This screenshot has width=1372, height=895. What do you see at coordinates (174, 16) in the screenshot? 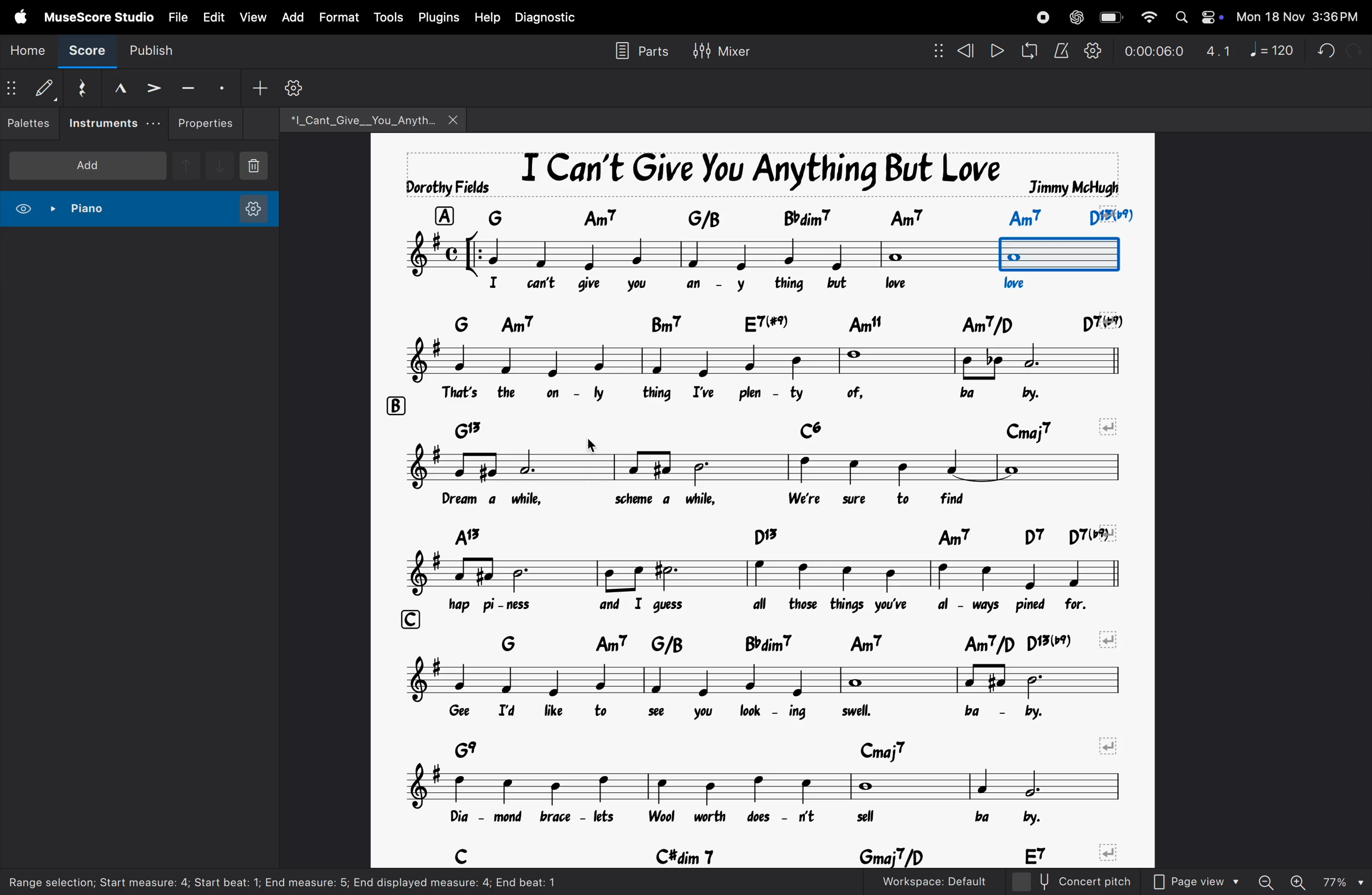
I see `file` at bounding box center [174, 16].